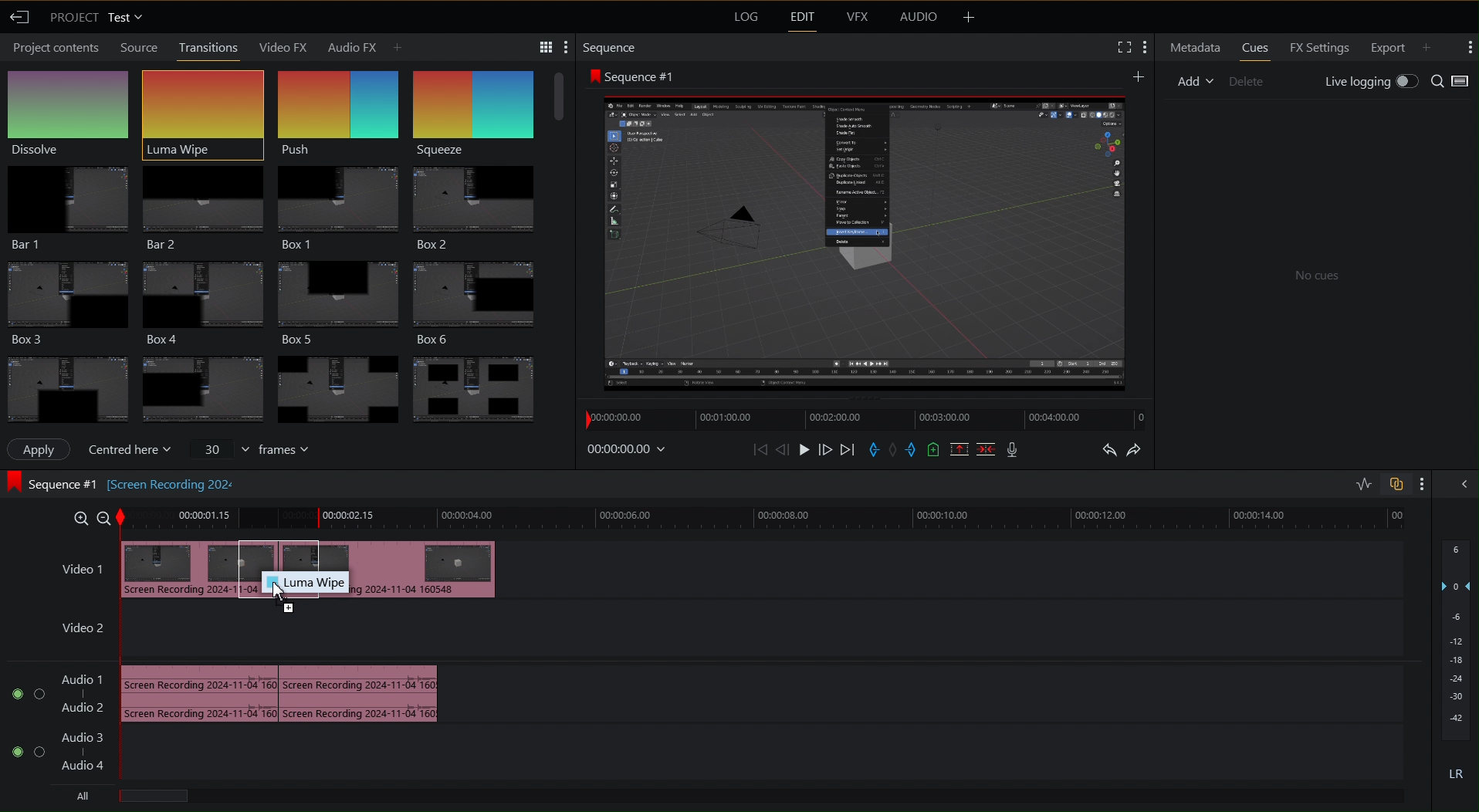  I want to click on Box 3, so click(66, 300).